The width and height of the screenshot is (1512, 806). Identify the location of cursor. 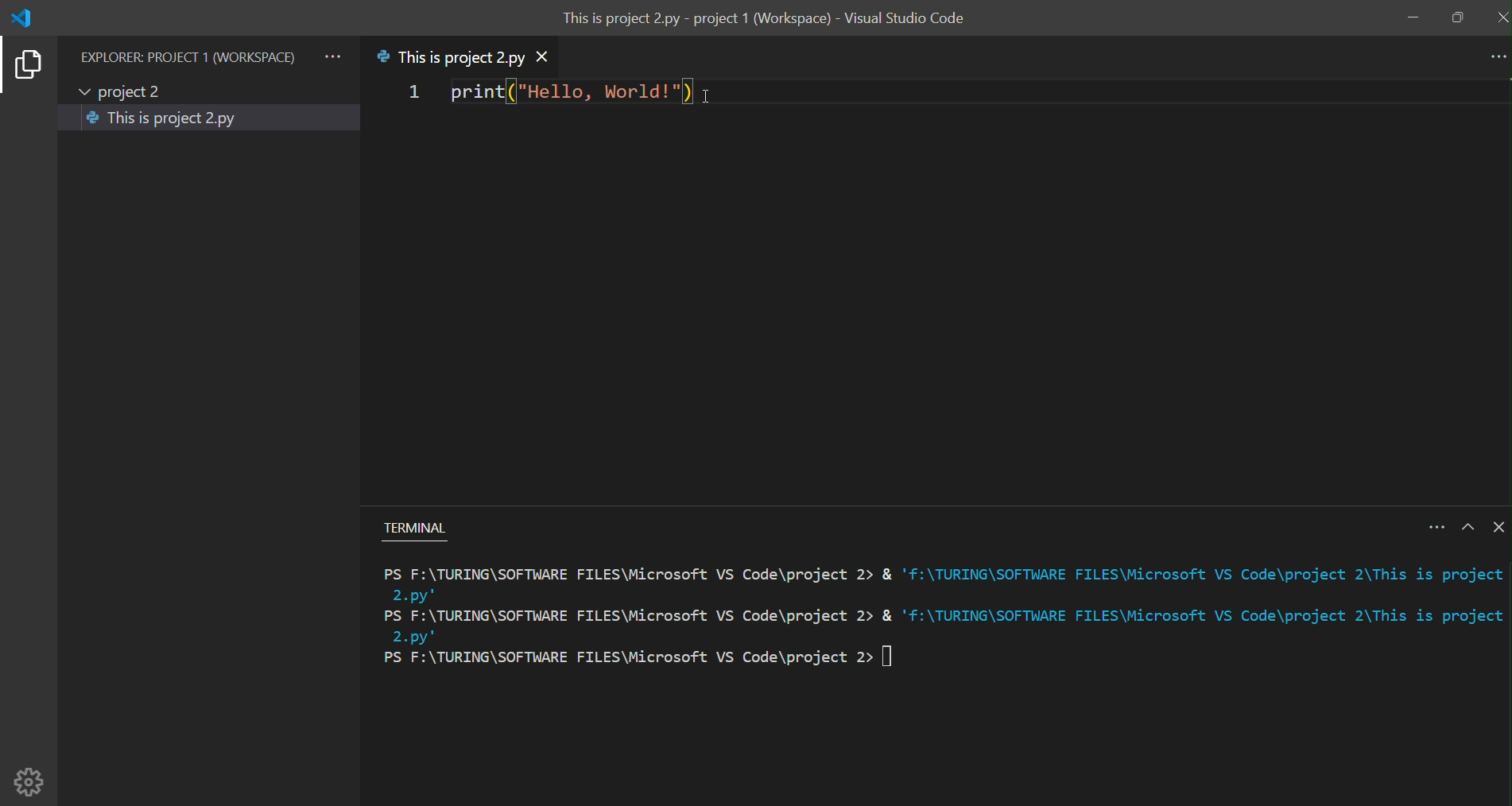
(709, 96).